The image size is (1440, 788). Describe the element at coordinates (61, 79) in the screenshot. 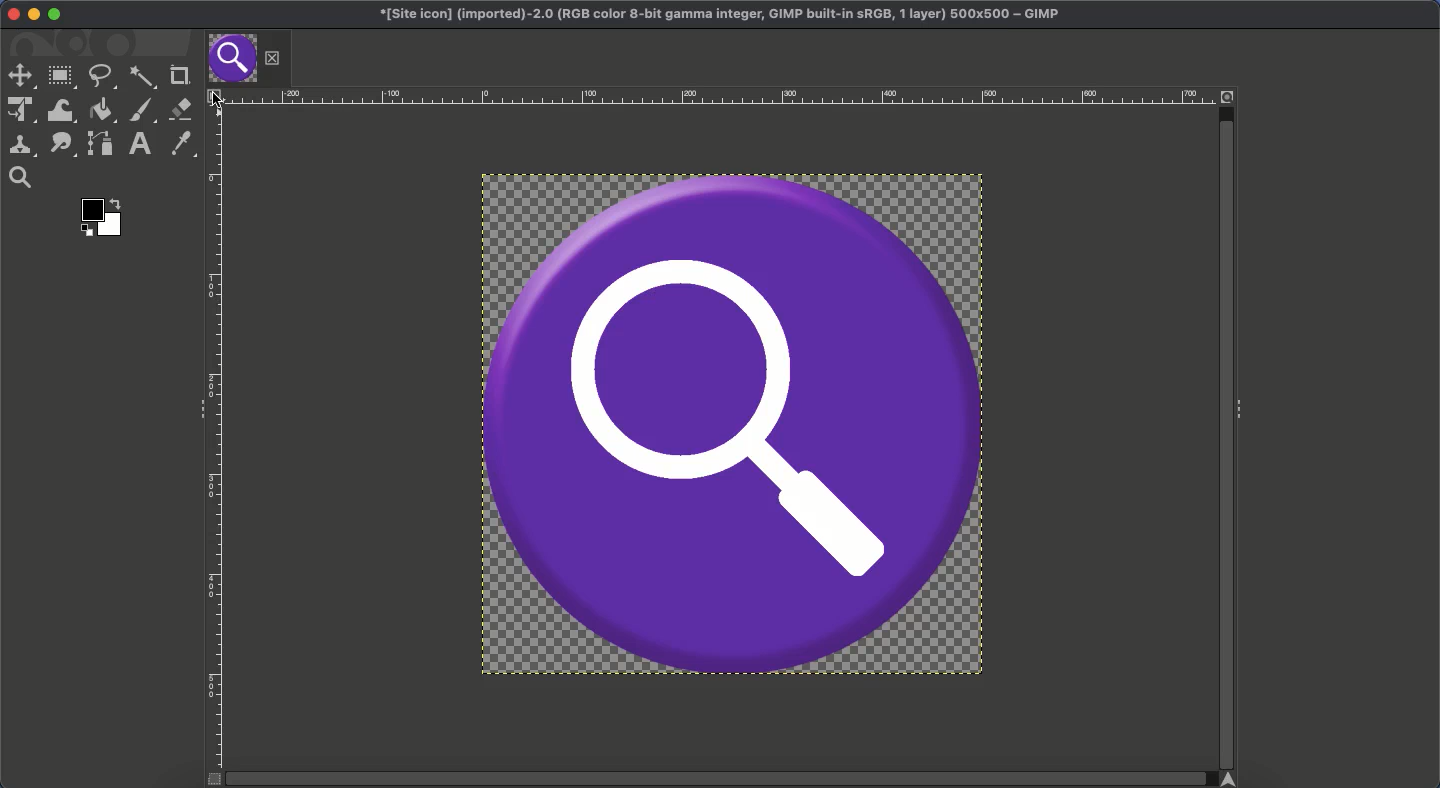

I see `Rectangular selector` at that location.